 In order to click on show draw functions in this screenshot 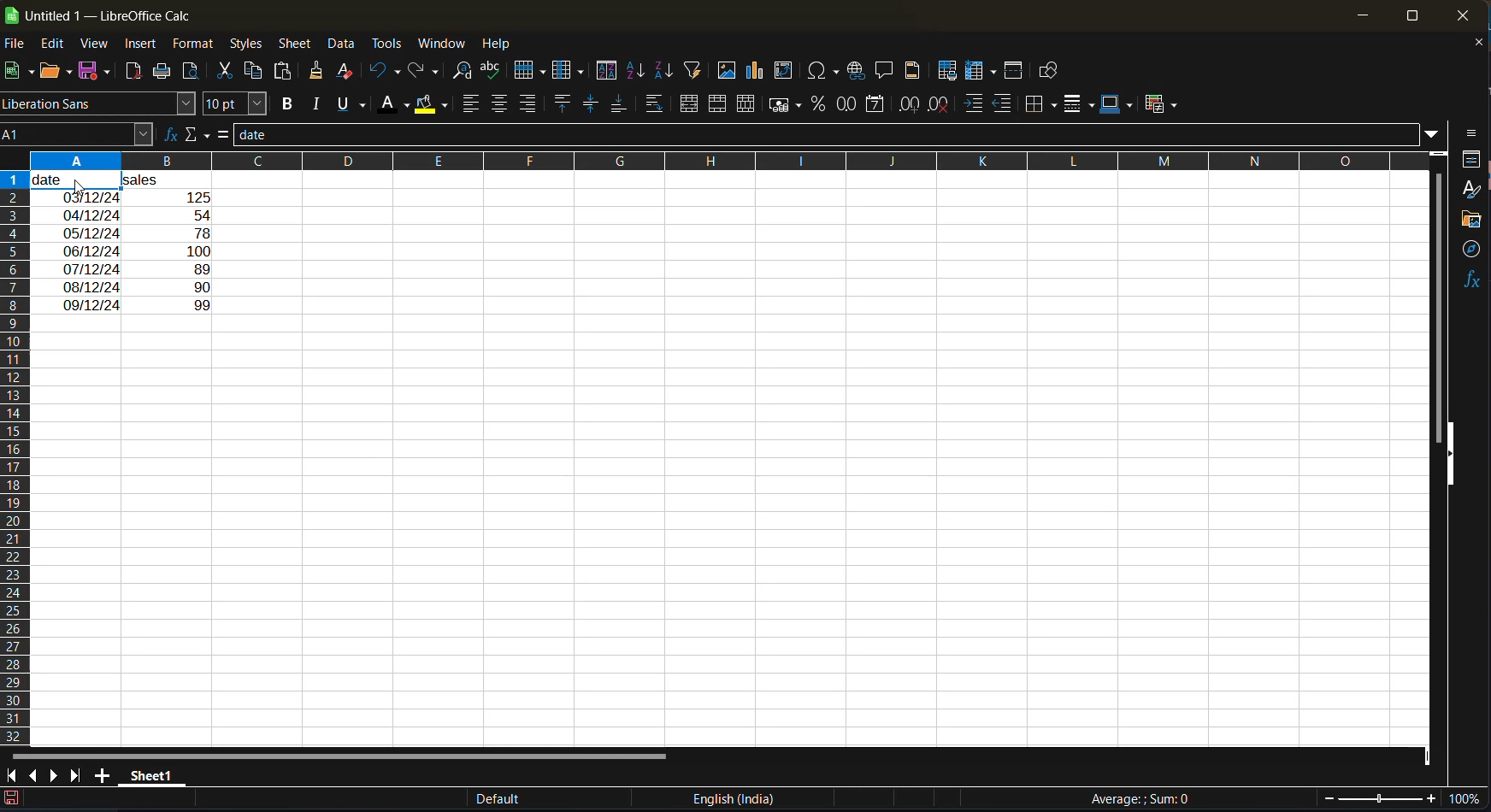, I will do `click(1052, 74)`.